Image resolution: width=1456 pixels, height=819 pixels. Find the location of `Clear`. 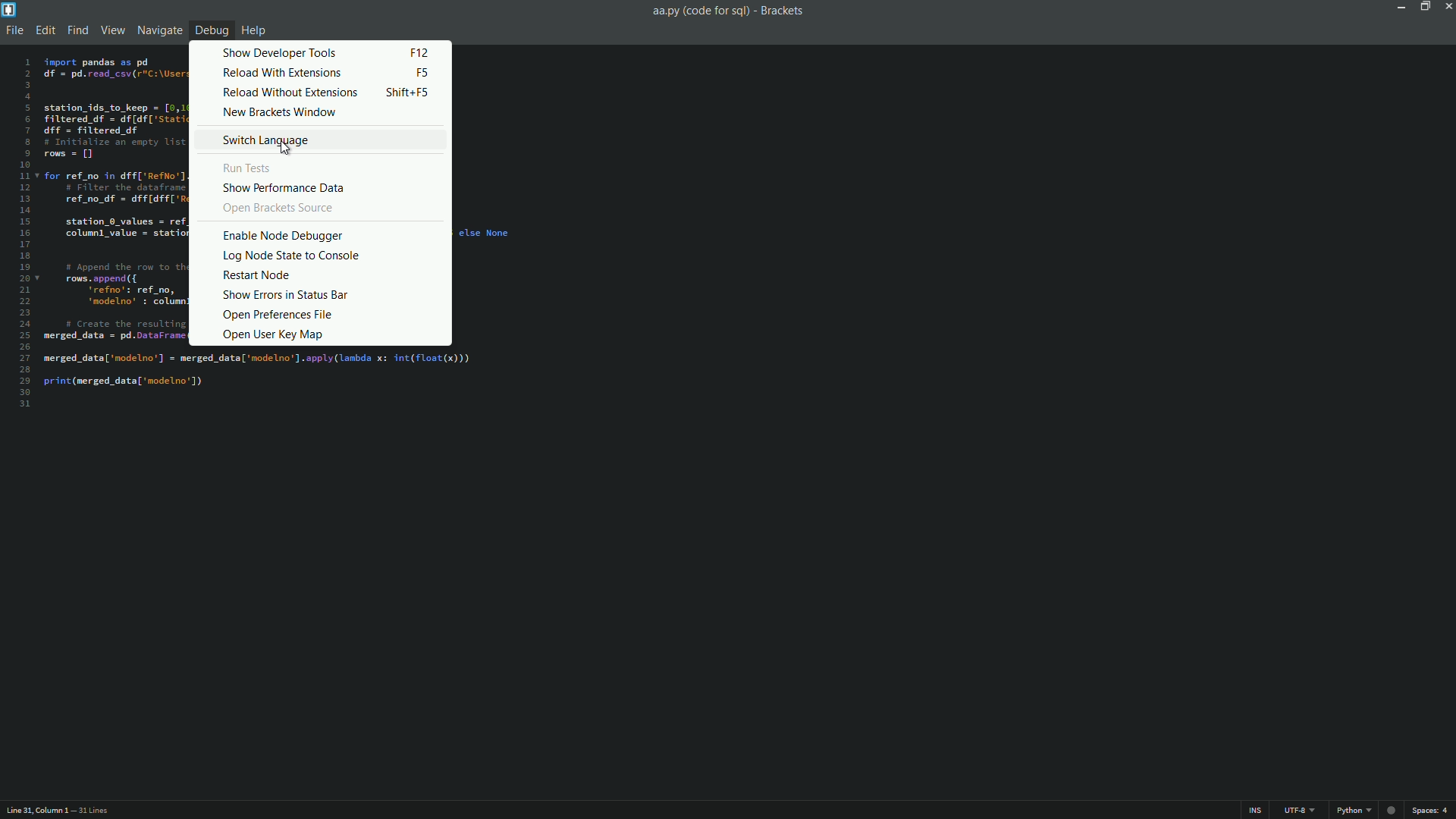

Clear is located at coordinates (484, 231).